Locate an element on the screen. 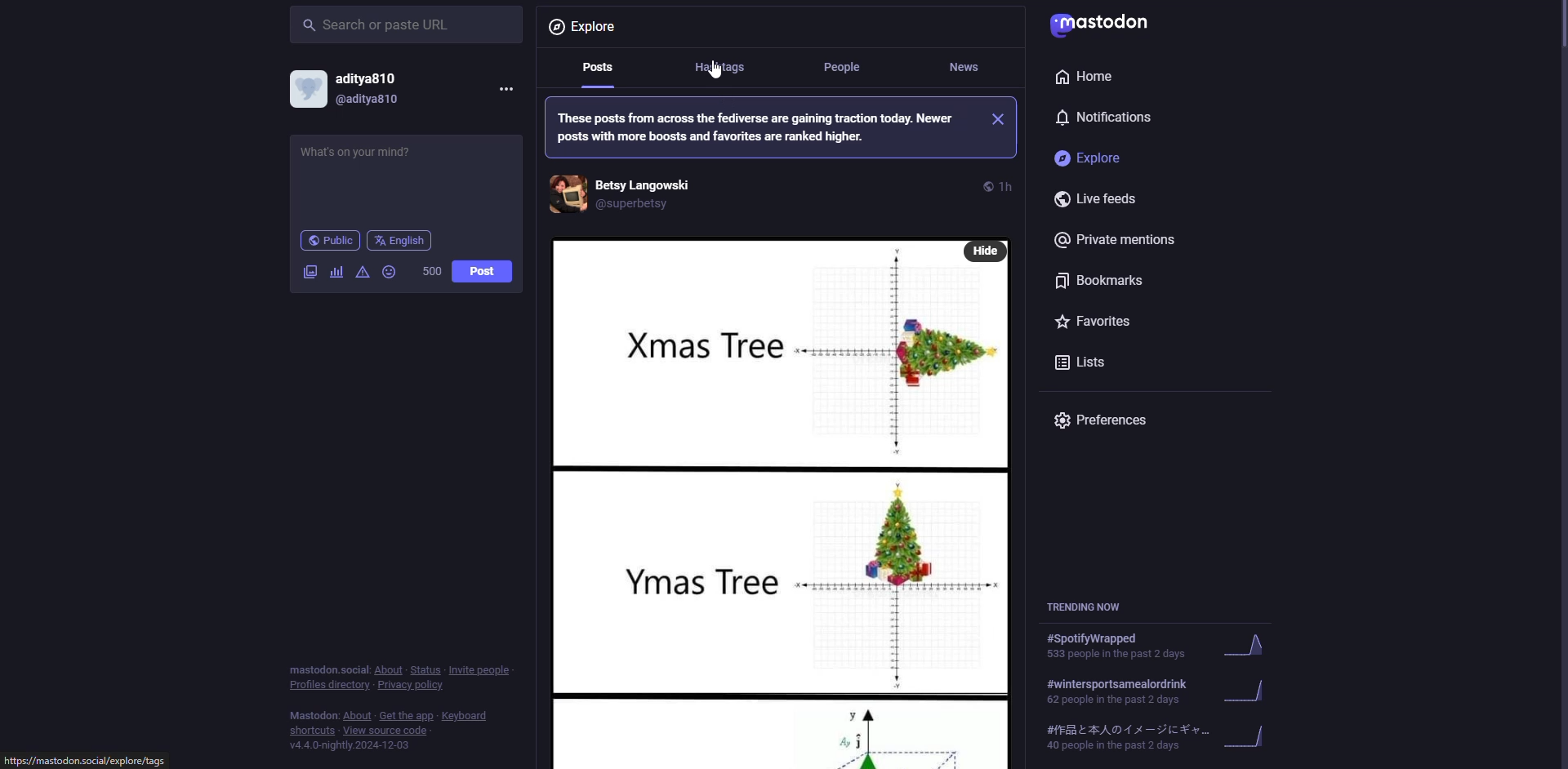  poll is located at coordinates (336, 272).